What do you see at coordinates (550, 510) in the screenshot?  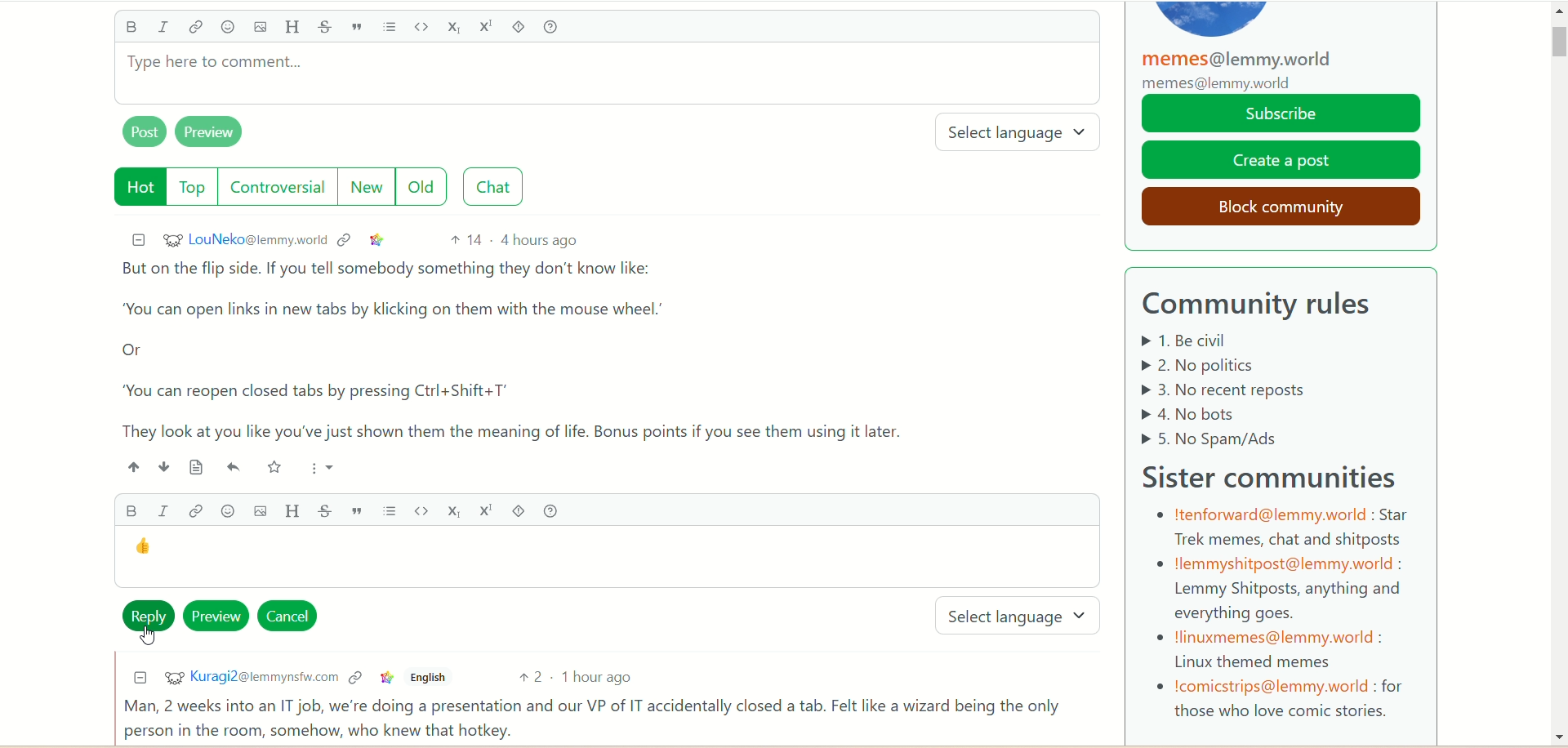 I see `help` at bounding box center [550, 510].